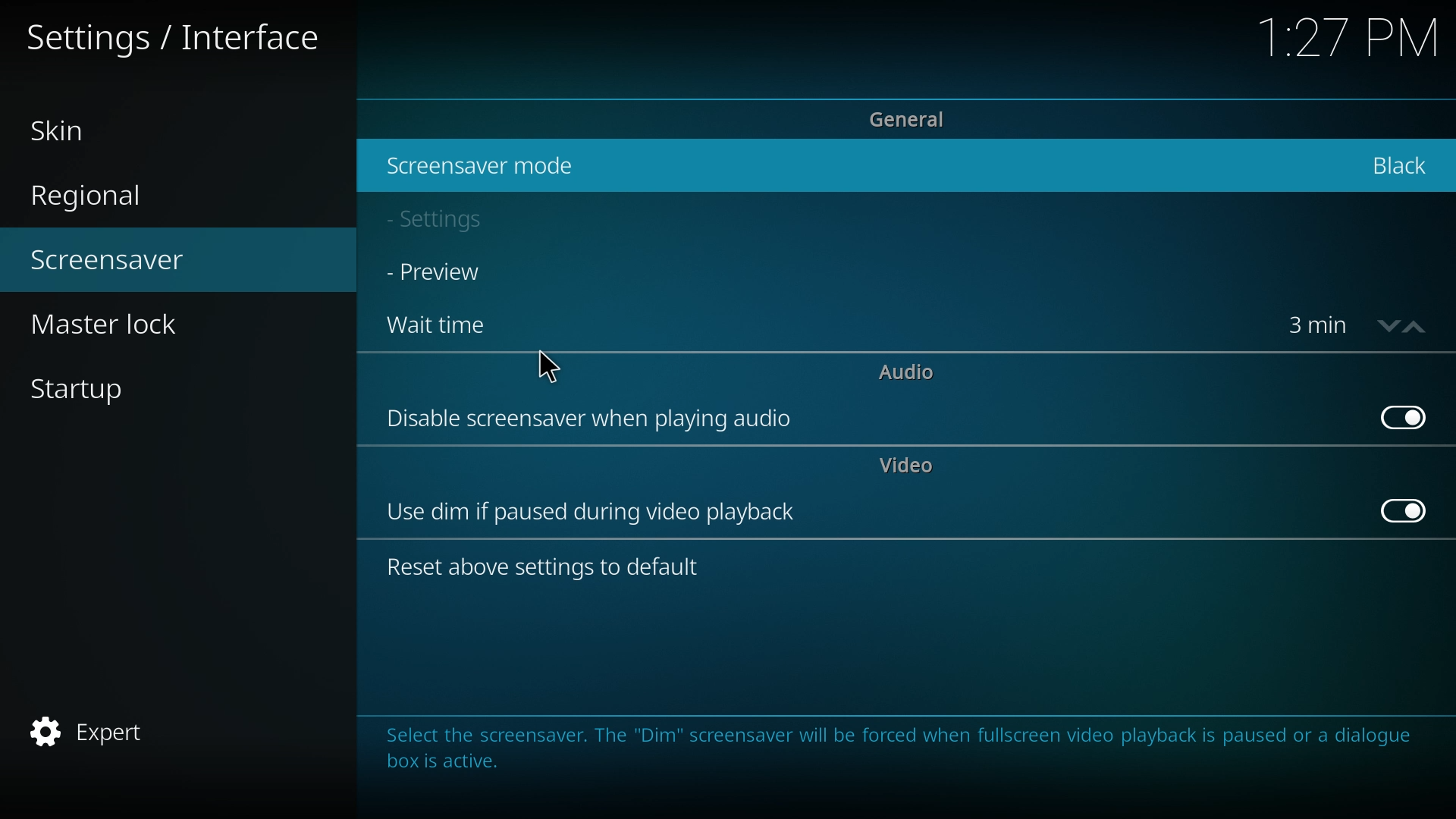  I want to click on screensaver mode, so click(483, 165).